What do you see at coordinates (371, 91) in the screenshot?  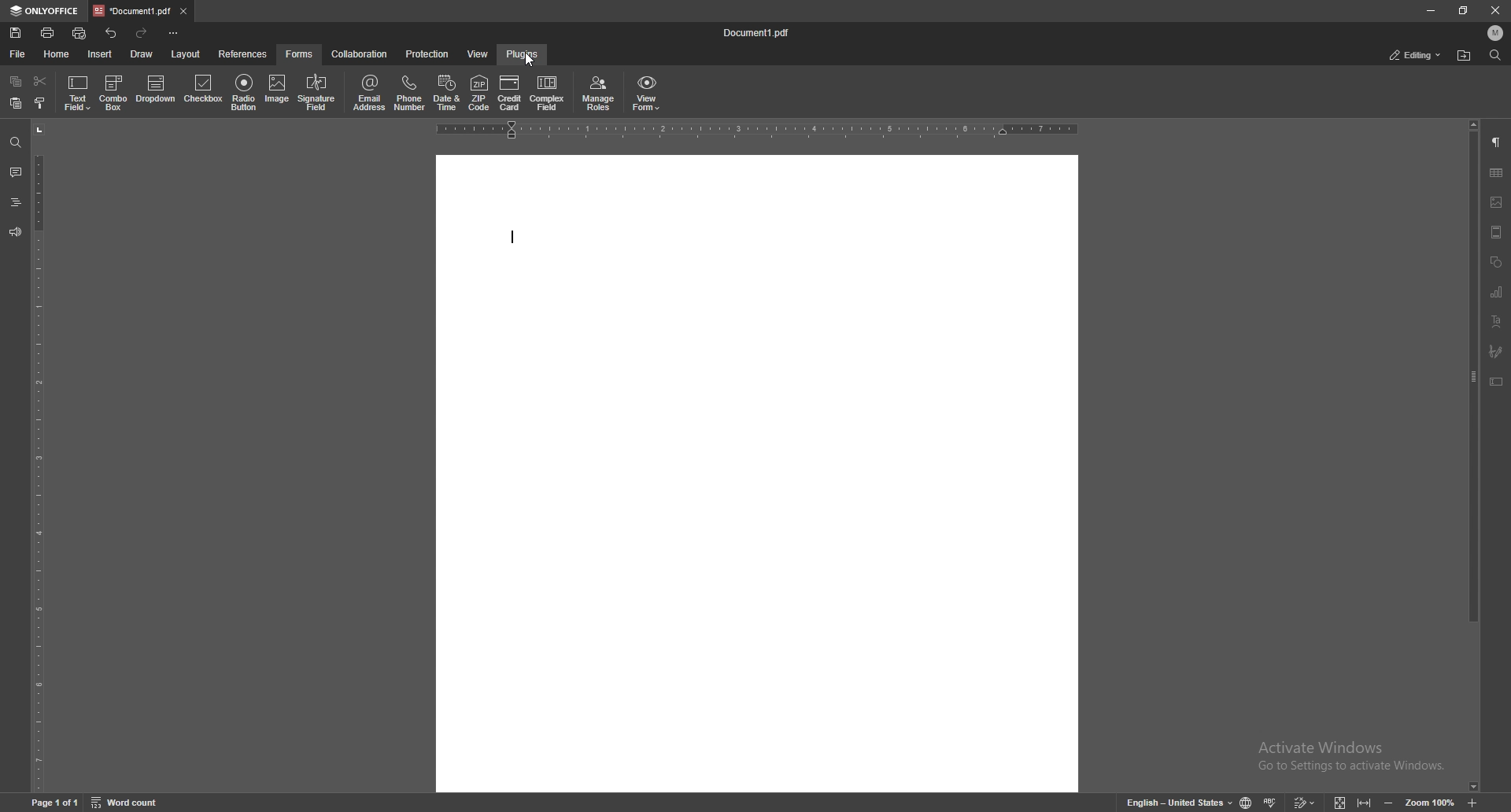 I see `email address` at bounding box center [371, 91].